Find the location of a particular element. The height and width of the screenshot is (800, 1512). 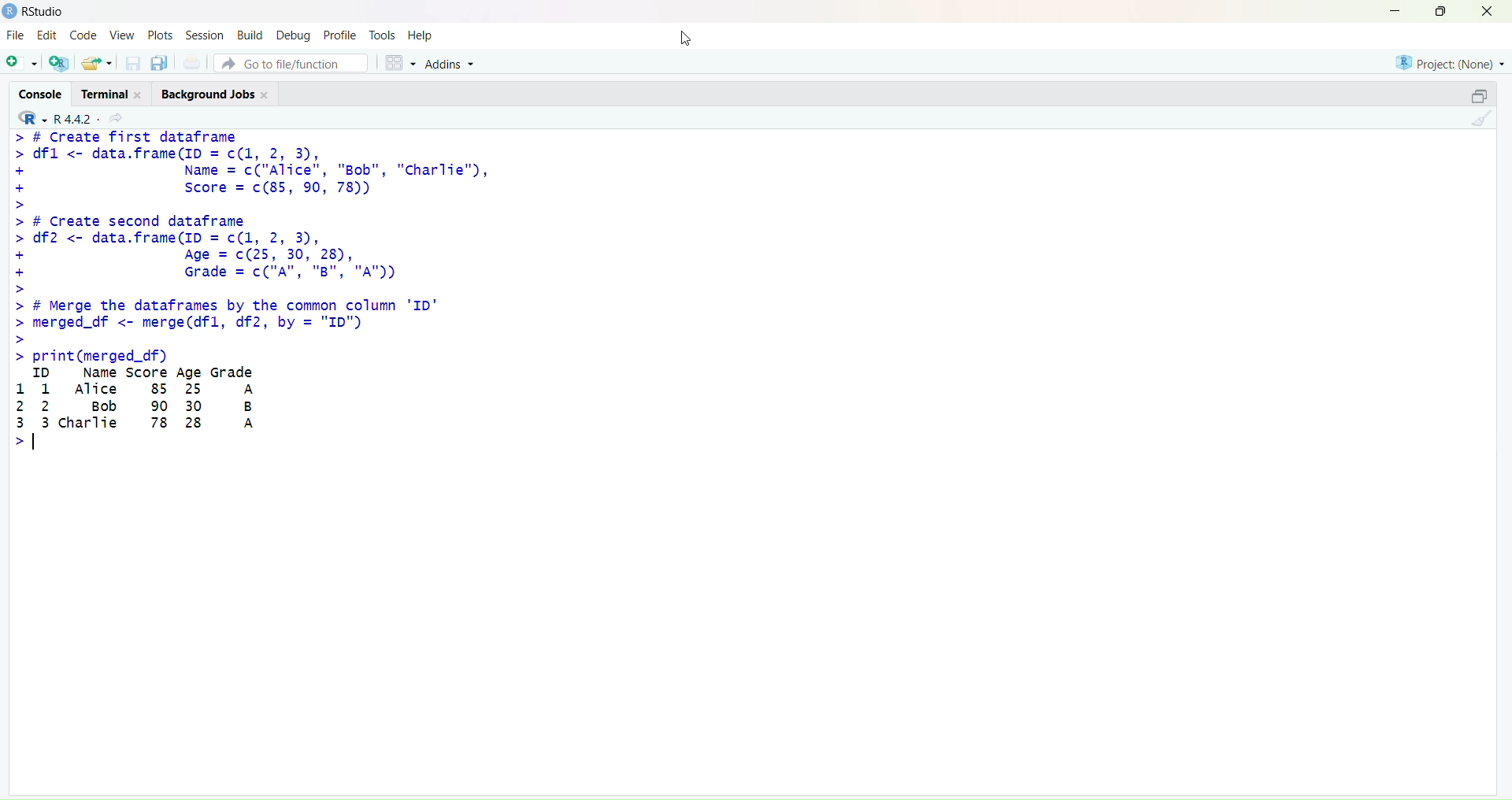

clear console is located at coordinates (1485, 118).